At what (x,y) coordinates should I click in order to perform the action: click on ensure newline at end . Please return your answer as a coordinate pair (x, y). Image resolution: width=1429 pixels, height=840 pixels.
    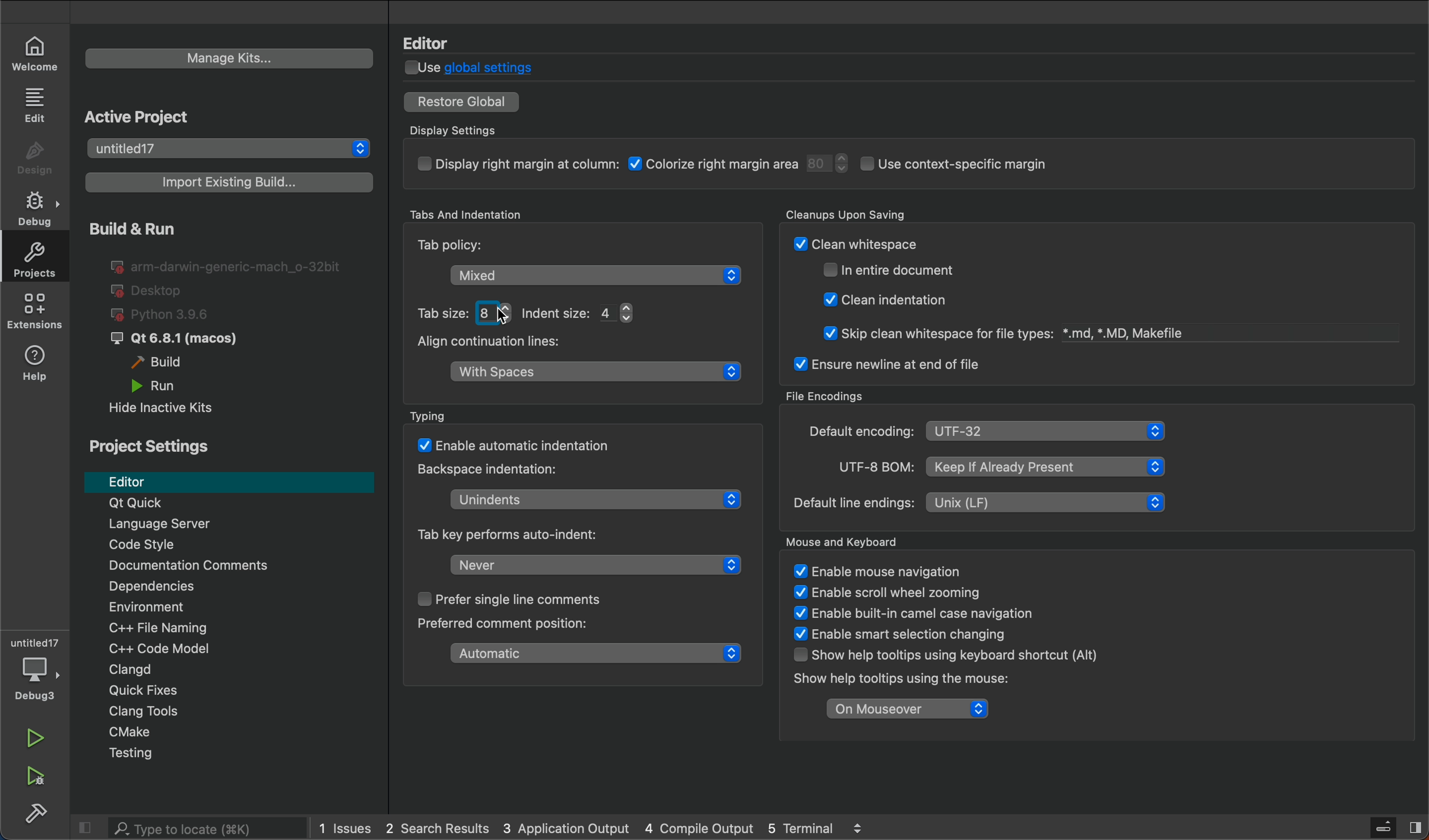
    Looking at the image, I should click on (886, 364).